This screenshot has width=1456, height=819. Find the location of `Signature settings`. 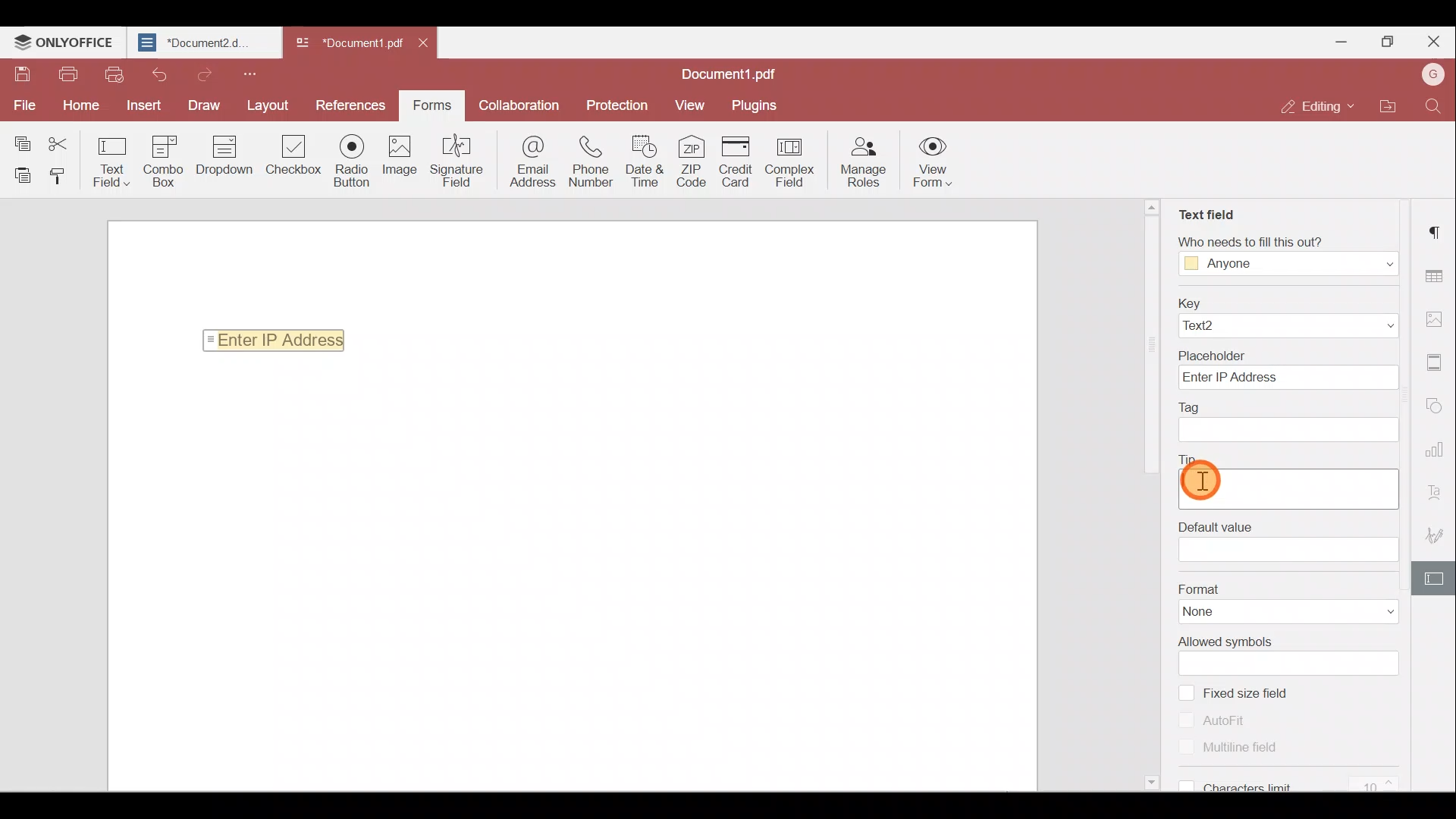

Signature settings is located at coordinates (1438, 532).